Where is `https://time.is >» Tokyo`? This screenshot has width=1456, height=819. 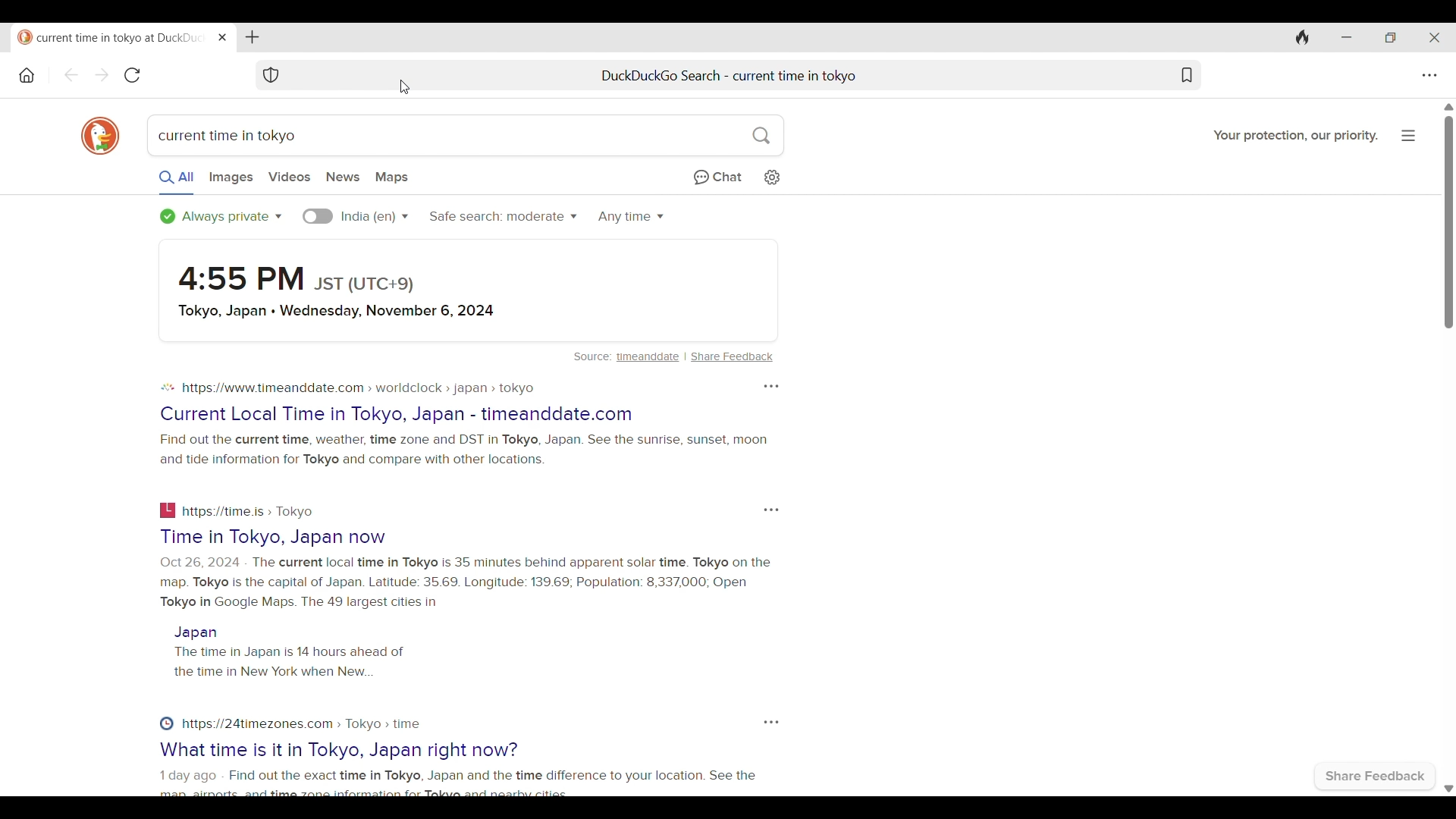
https://time.is >» Tokyo is located at coordinates (249, 512).